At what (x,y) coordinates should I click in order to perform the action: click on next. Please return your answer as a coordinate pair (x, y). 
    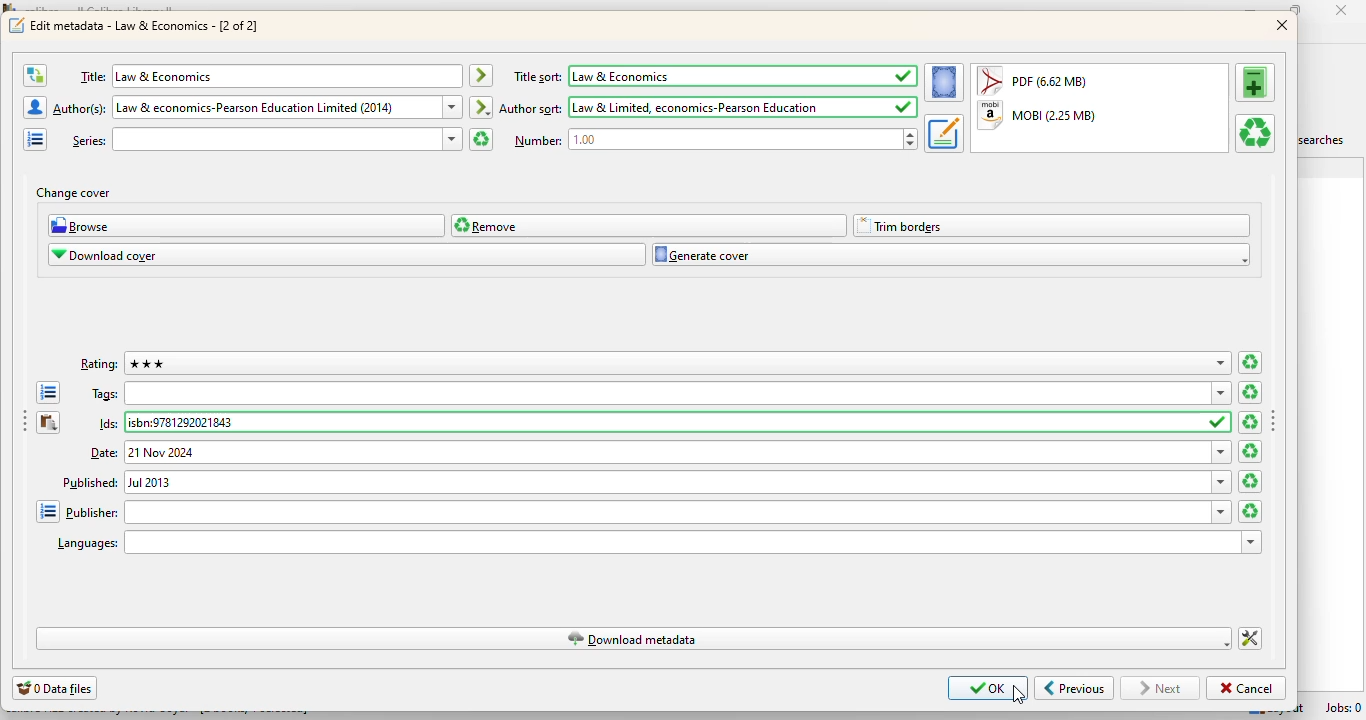
    Looking at the image, I should click on (1163, 688).